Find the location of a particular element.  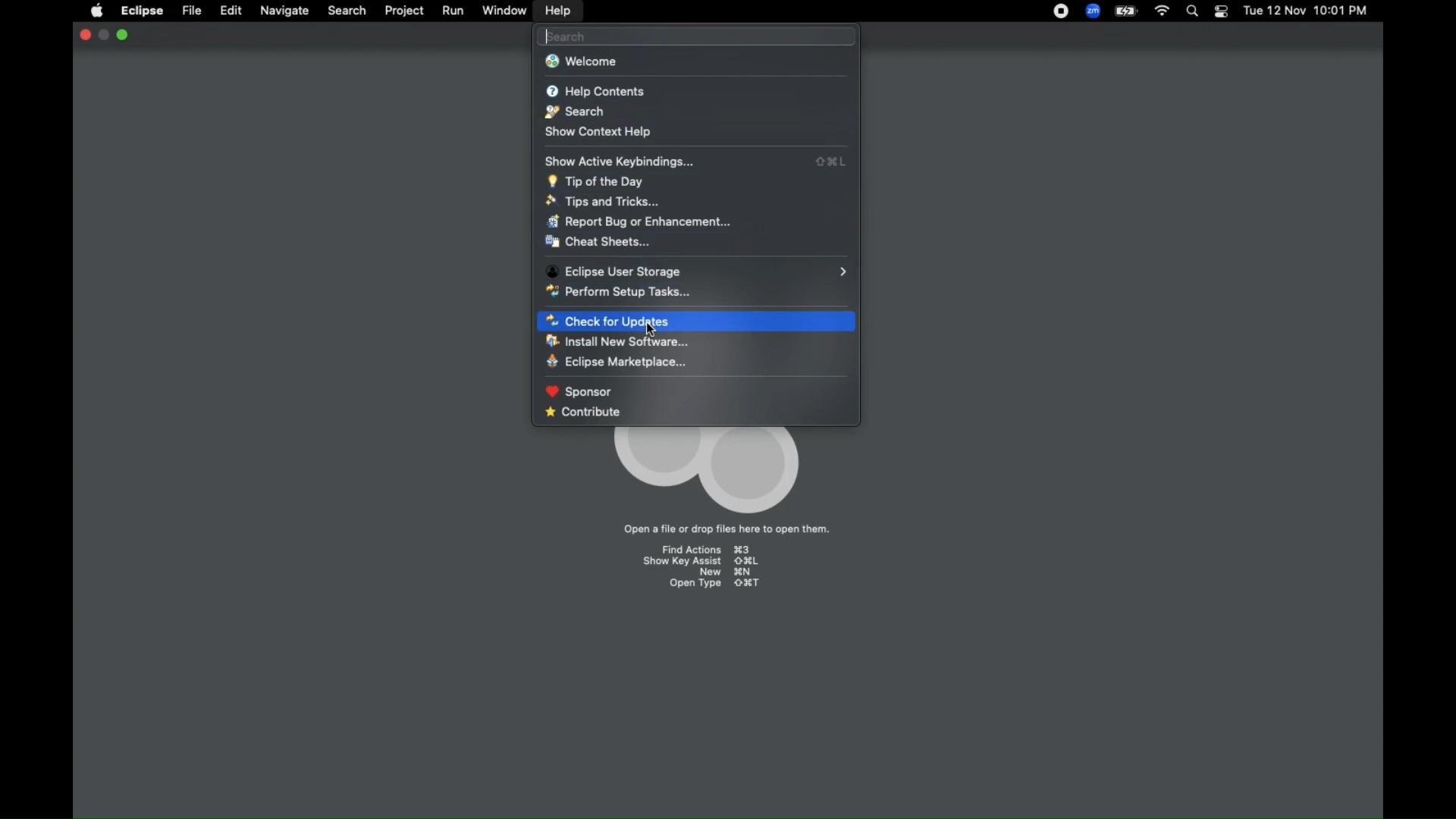

Minimize is located at coordinates (124, 35).